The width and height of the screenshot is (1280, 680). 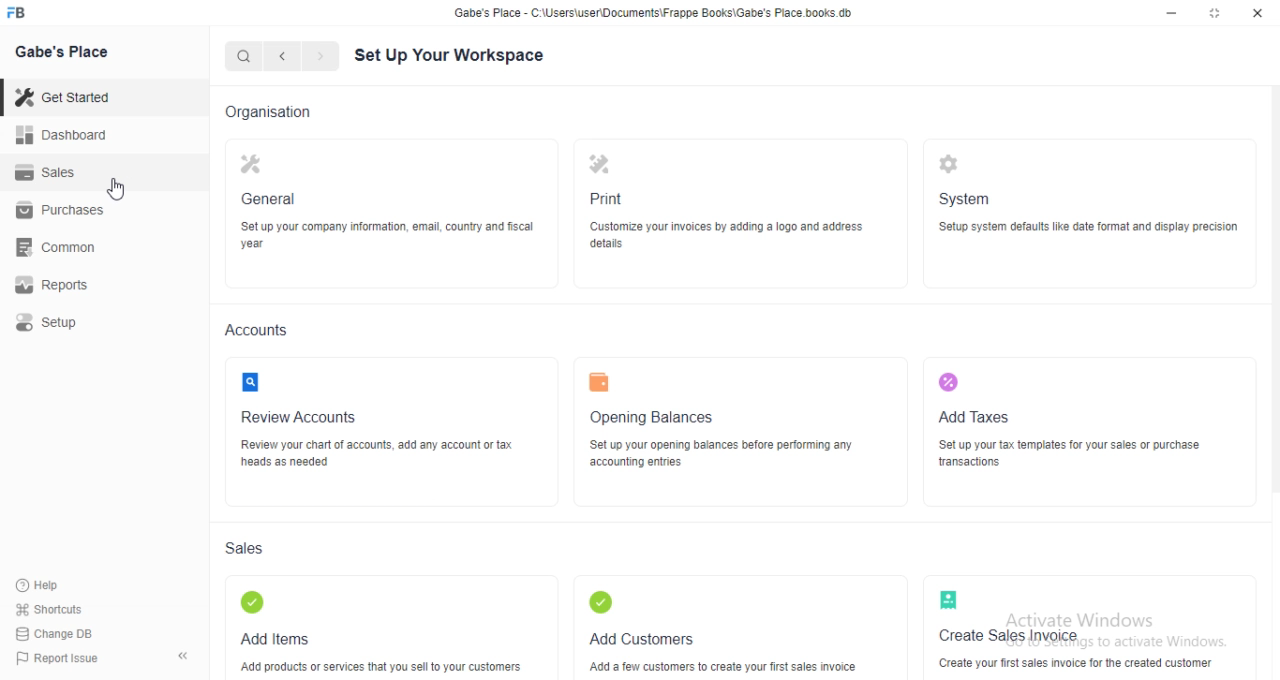 What do you see at coordinates (284, 54) in the screenshot?
I see `previous` at bounding box center [284, 54].